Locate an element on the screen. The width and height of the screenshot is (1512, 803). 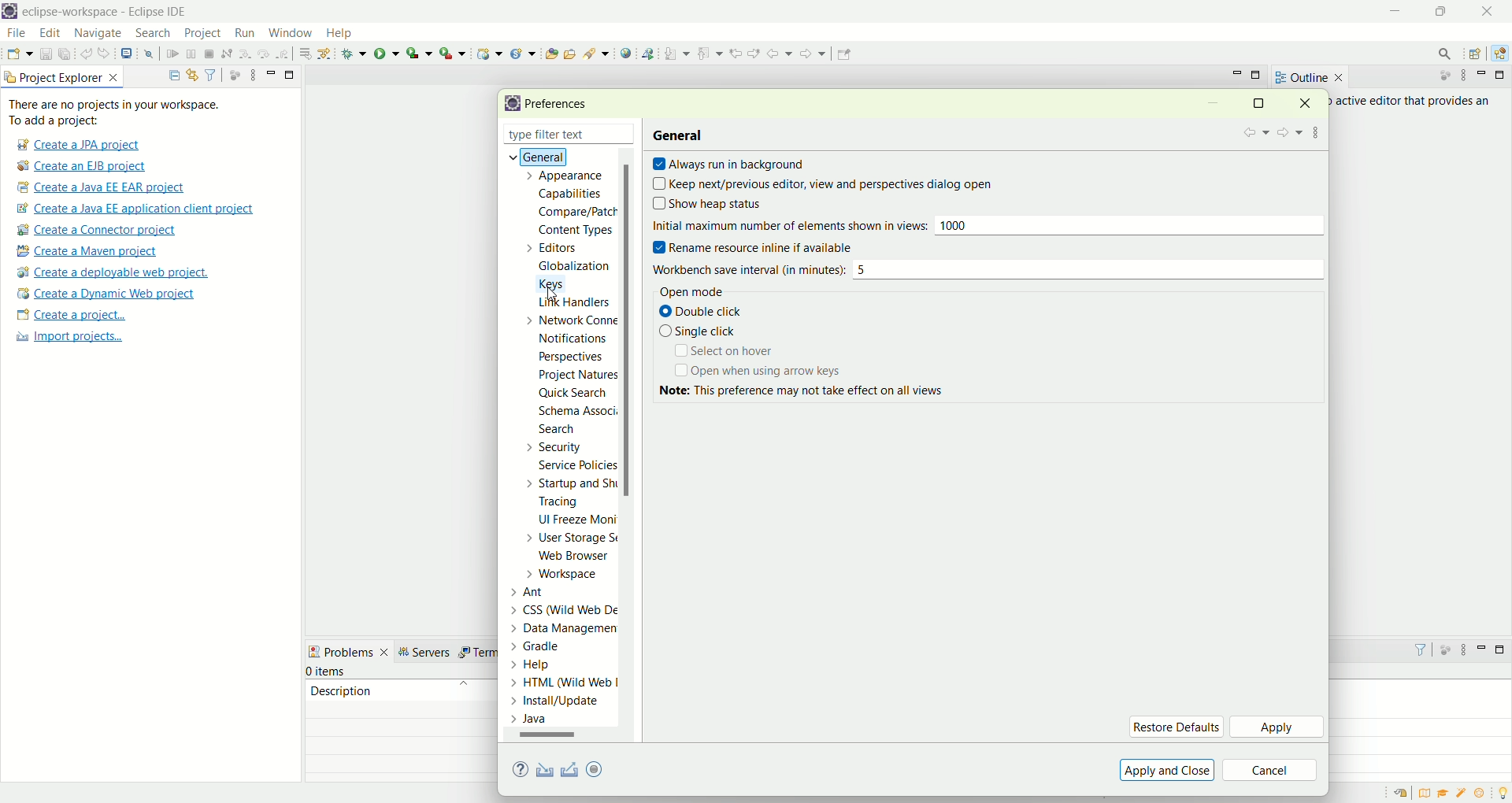
workbench save interval (in minutes): 5 is located at coordinates (984, 270).